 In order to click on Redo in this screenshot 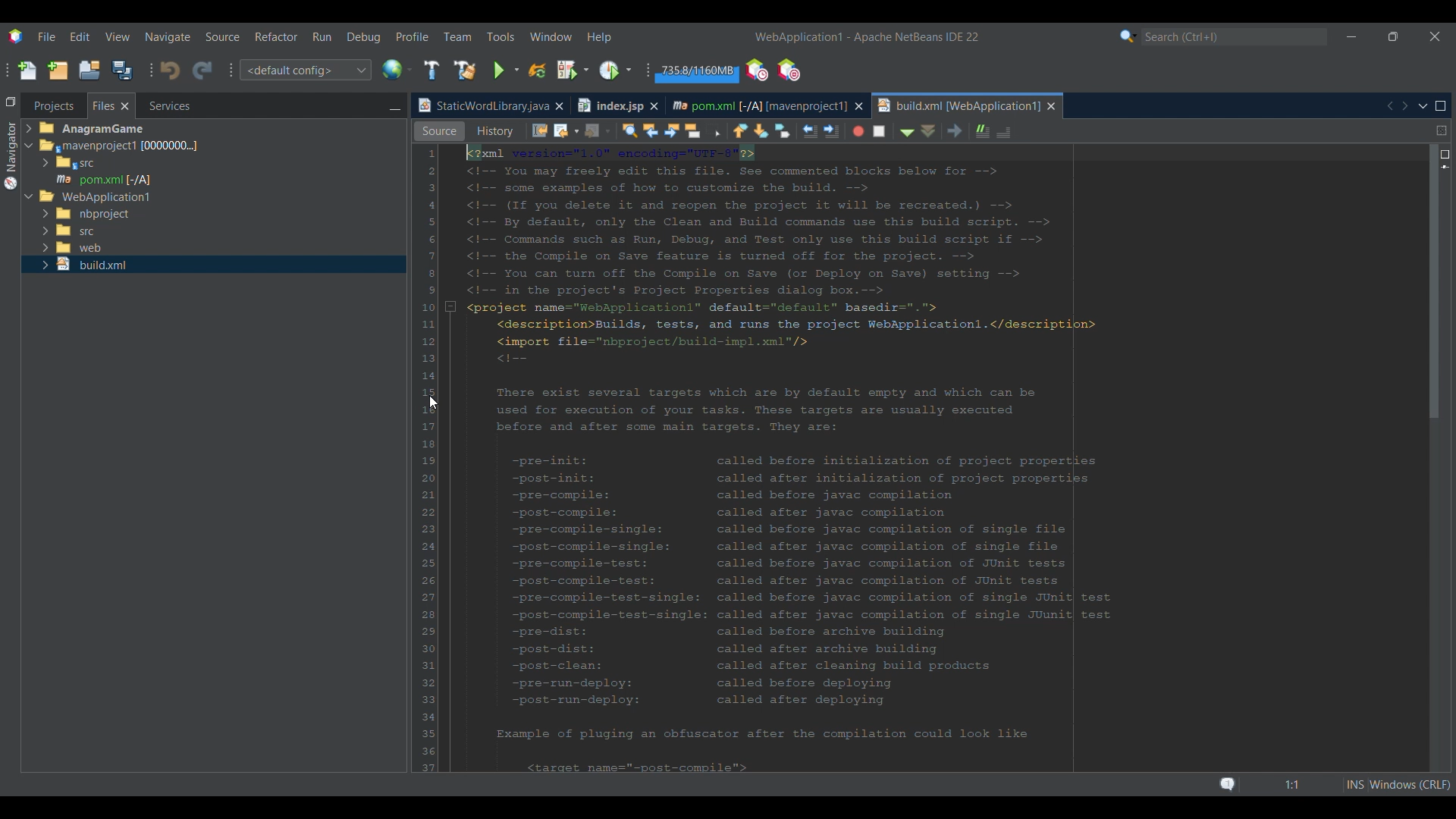, I will do `click(202, 71)`.